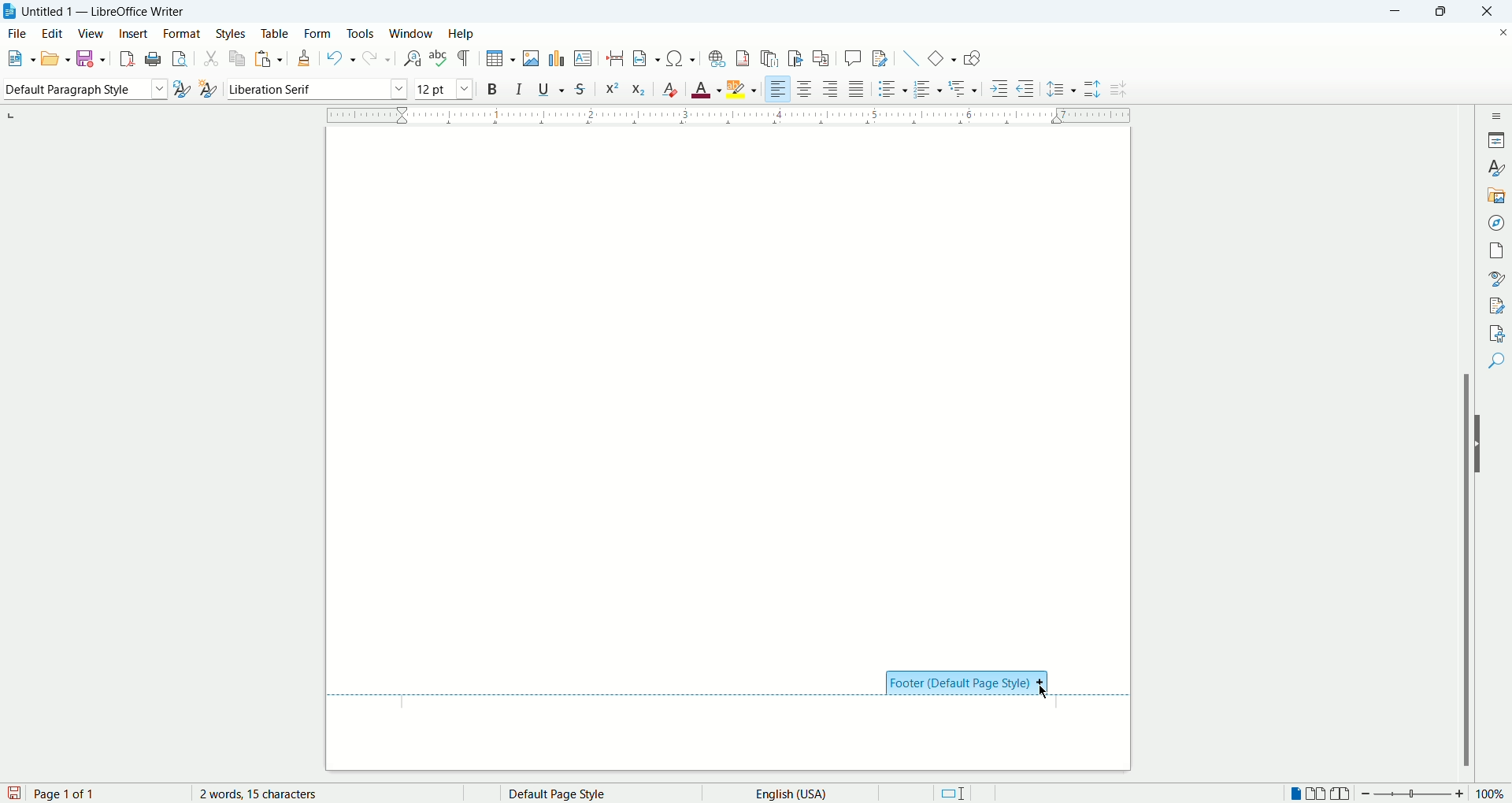 The image size is (1512, 803). Describe the element at coordinates (362, 32) in the screenshot. I see `tools` at that location.